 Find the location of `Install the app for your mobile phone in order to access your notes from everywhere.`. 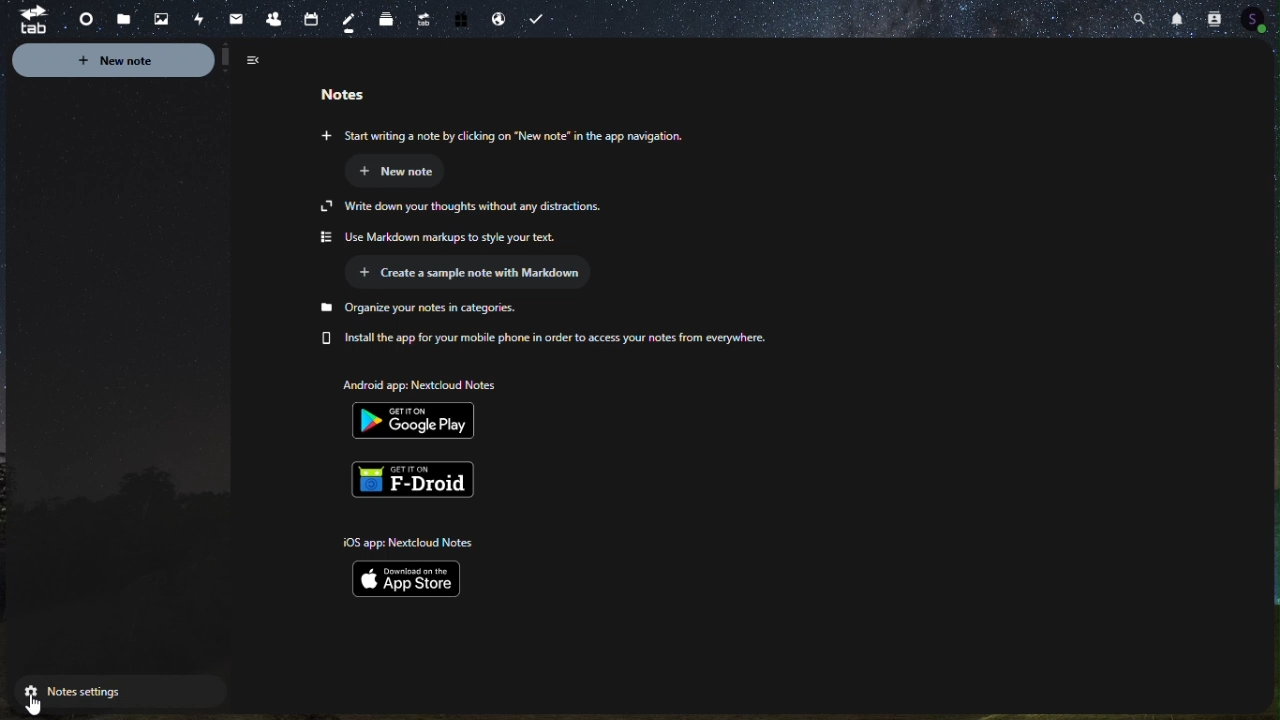

Install the app for your mobile phone in order to access your notes from everywhere. is located at coordinates (548, 337).